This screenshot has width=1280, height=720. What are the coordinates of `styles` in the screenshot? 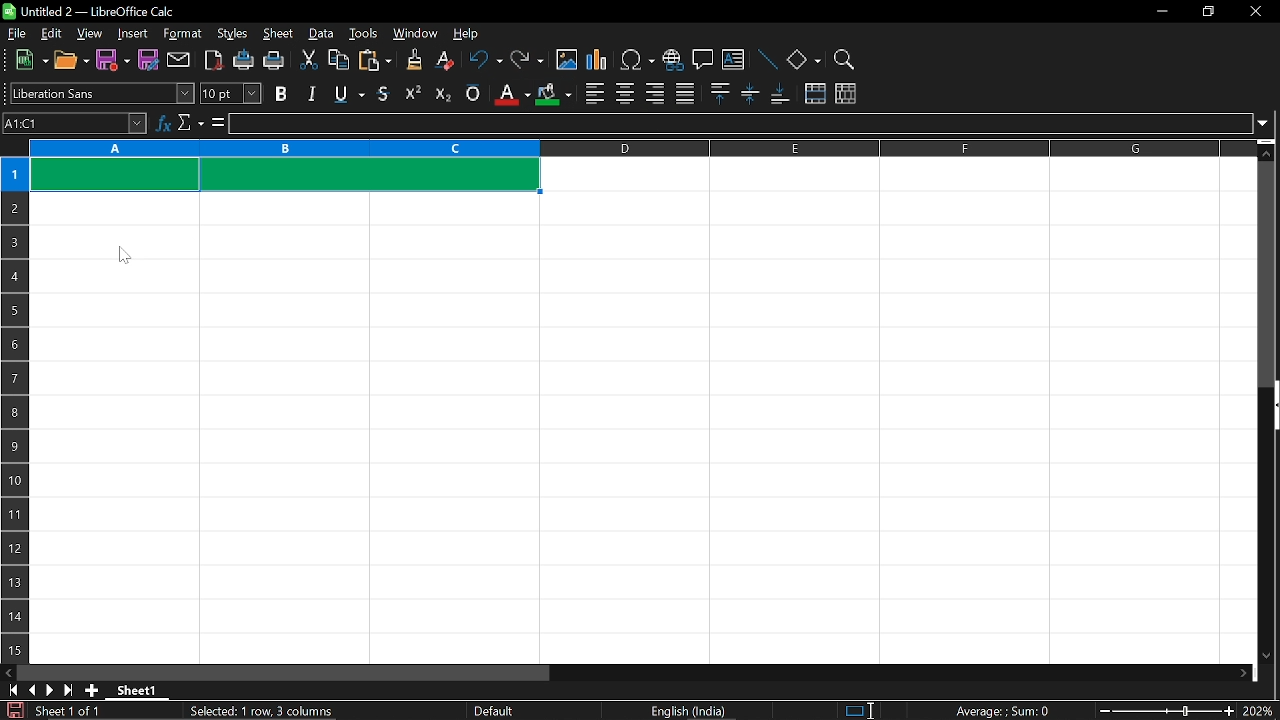 It's located at (232, 35).